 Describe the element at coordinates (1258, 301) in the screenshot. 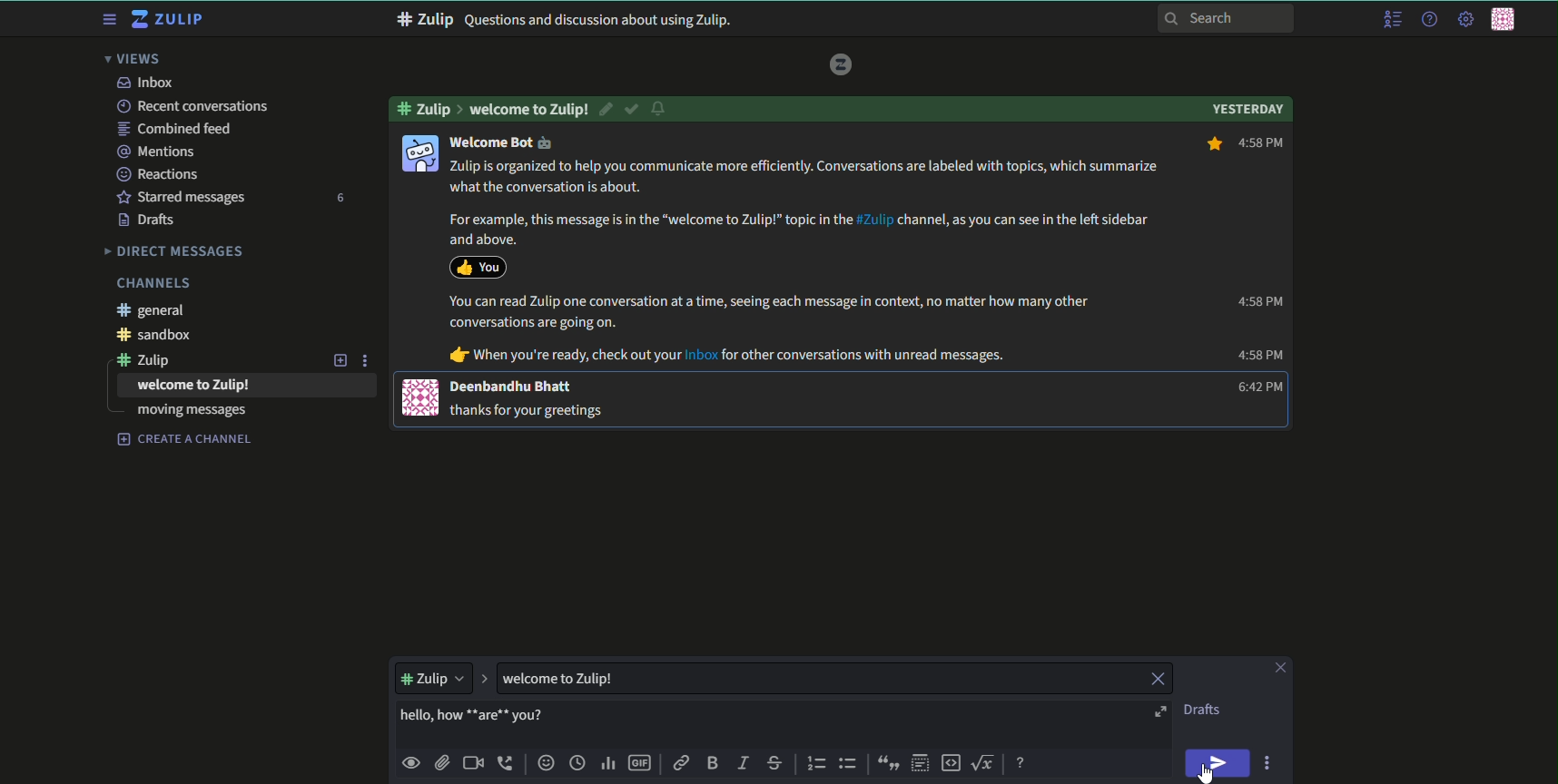

I see `4:58 PM` at that location.